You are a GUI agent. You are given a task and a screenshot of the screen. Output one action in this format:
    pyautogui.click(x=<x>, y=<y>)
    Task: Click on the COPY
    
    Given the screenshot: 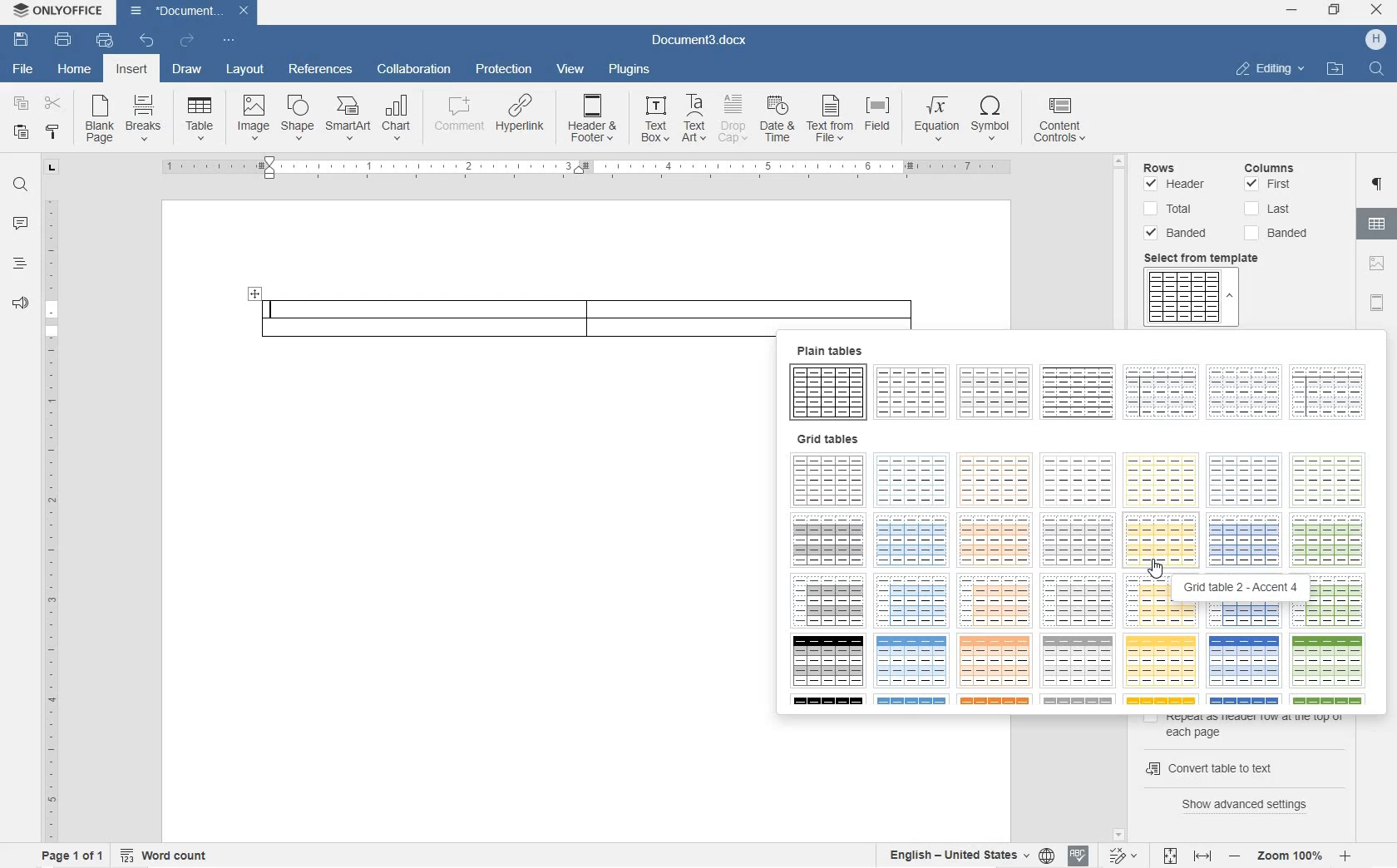 What is the action you would take?
    pyautogui.click(x=19, y=103)
    